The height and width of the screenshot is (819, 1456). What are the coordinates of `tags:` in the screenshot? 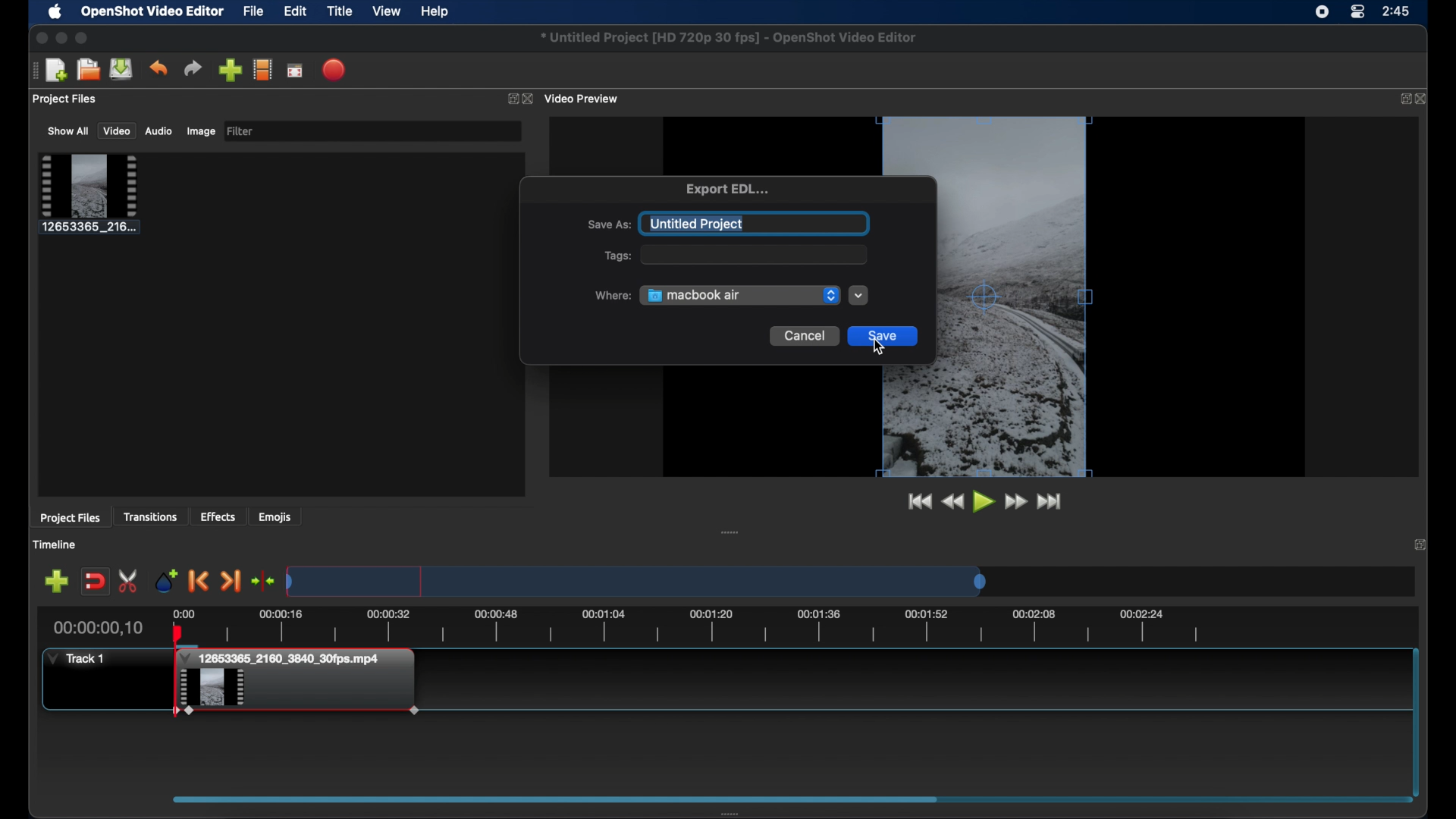 It's located at (616, 256).